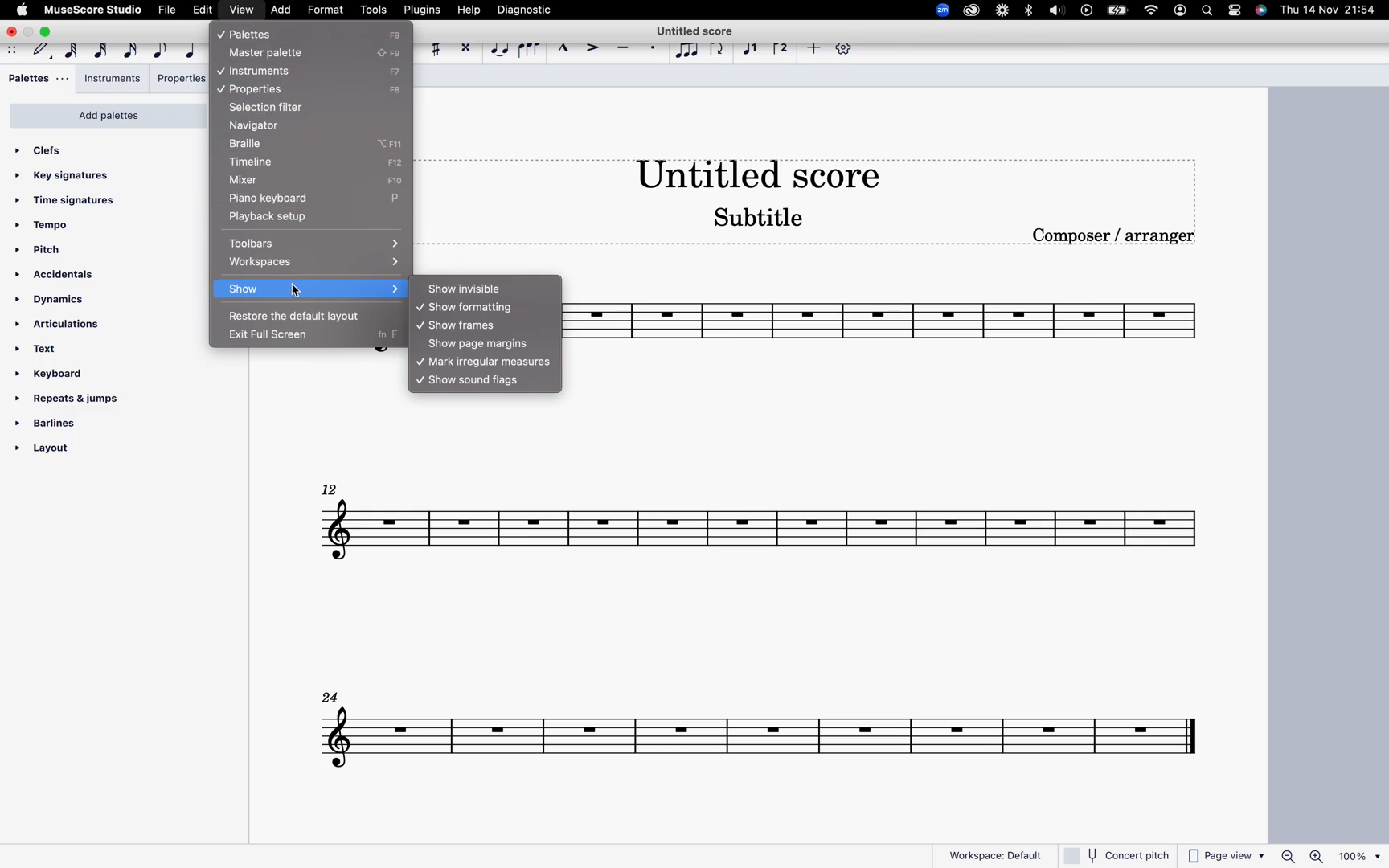 Image resolution: width=1389 pixels, height=868 pixels. Describe the element at coordinates (39, 49) in the screenshot. I see `default` at that location.